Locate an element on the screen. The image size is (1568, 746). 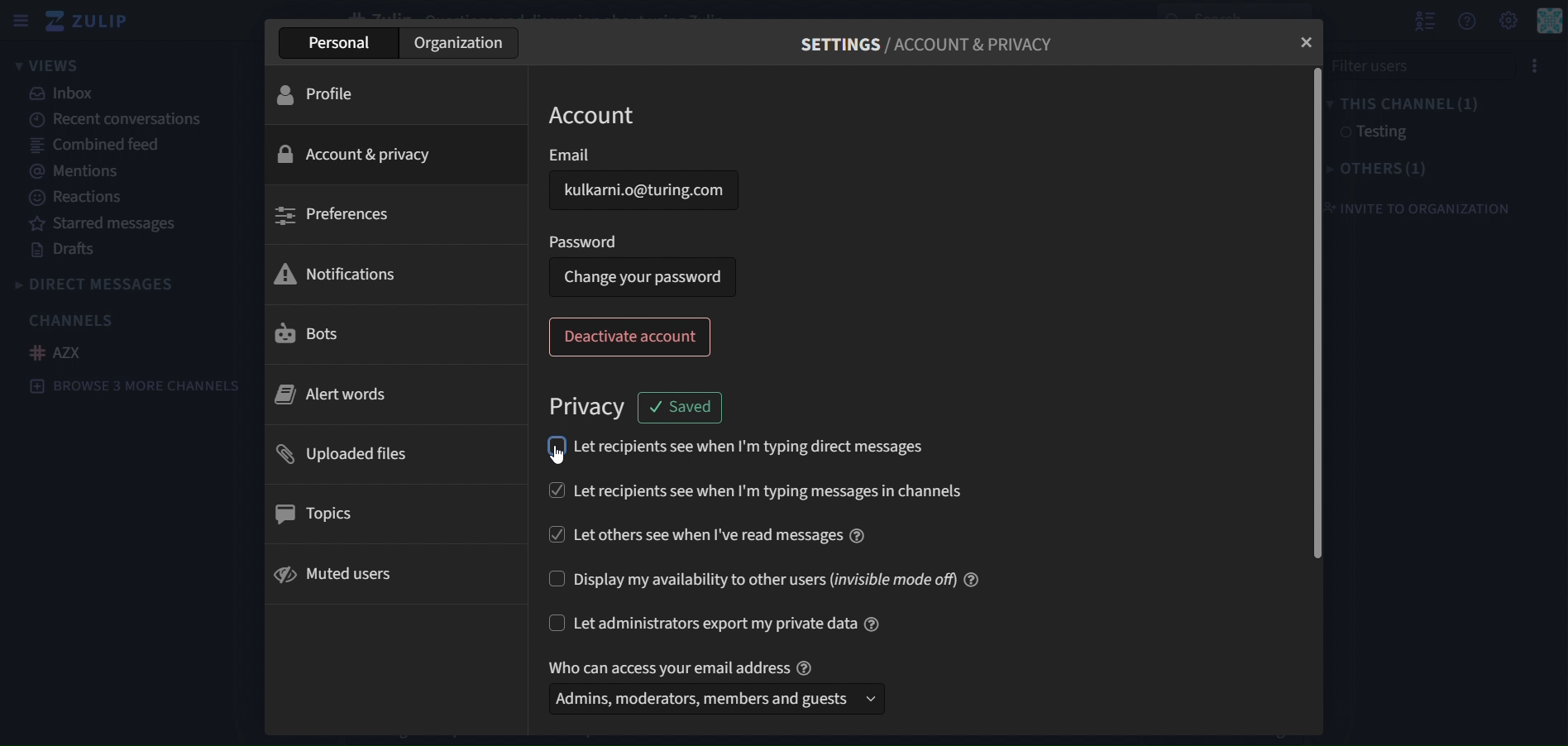
browse 3 more channels is located at coordinates (134, 388).